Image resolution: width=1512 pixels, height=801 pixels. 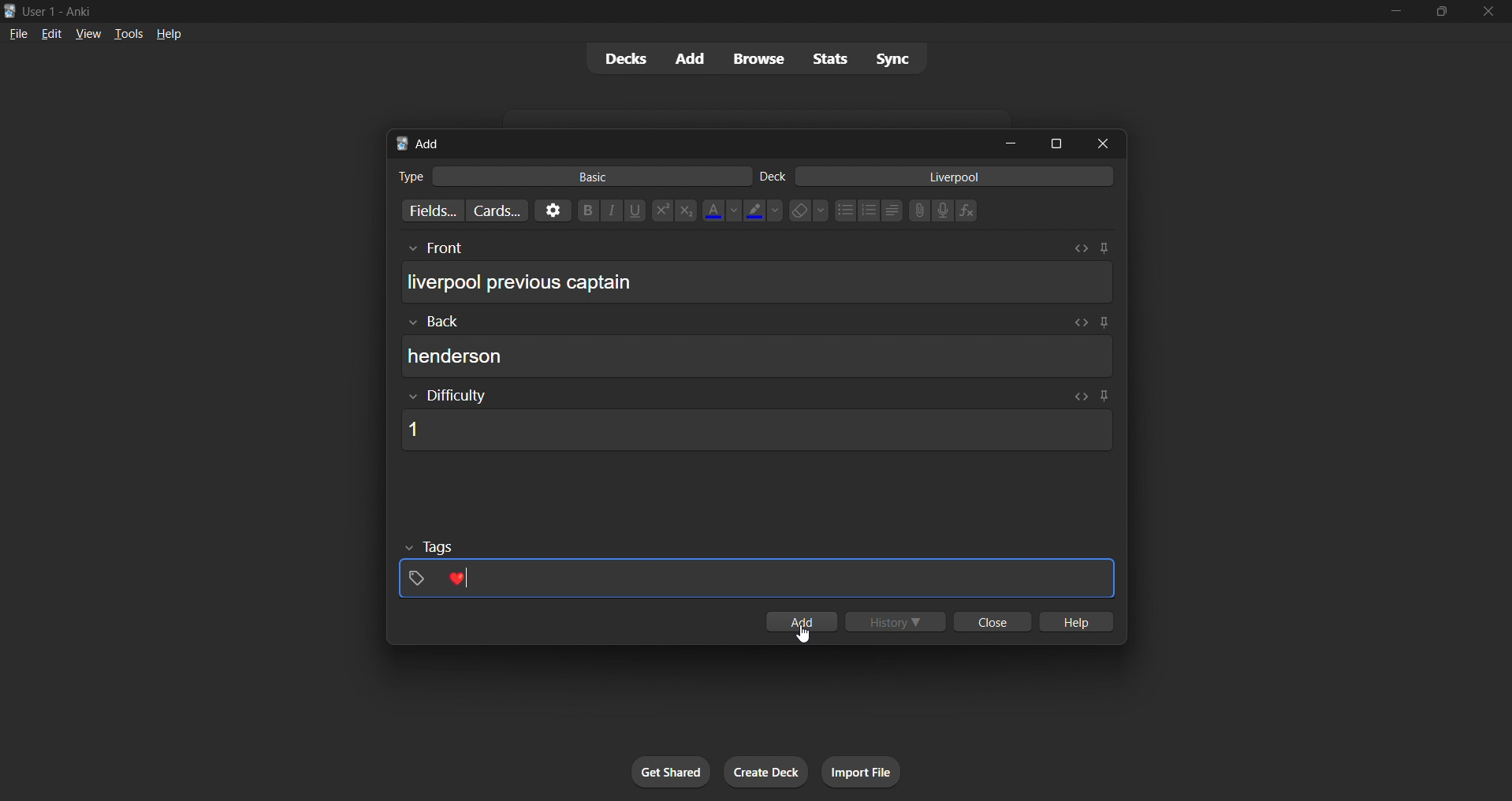 What do you see at coordinates (767, 773) in the screenshot?
I see `create deck` at bounding box center [767, 773].